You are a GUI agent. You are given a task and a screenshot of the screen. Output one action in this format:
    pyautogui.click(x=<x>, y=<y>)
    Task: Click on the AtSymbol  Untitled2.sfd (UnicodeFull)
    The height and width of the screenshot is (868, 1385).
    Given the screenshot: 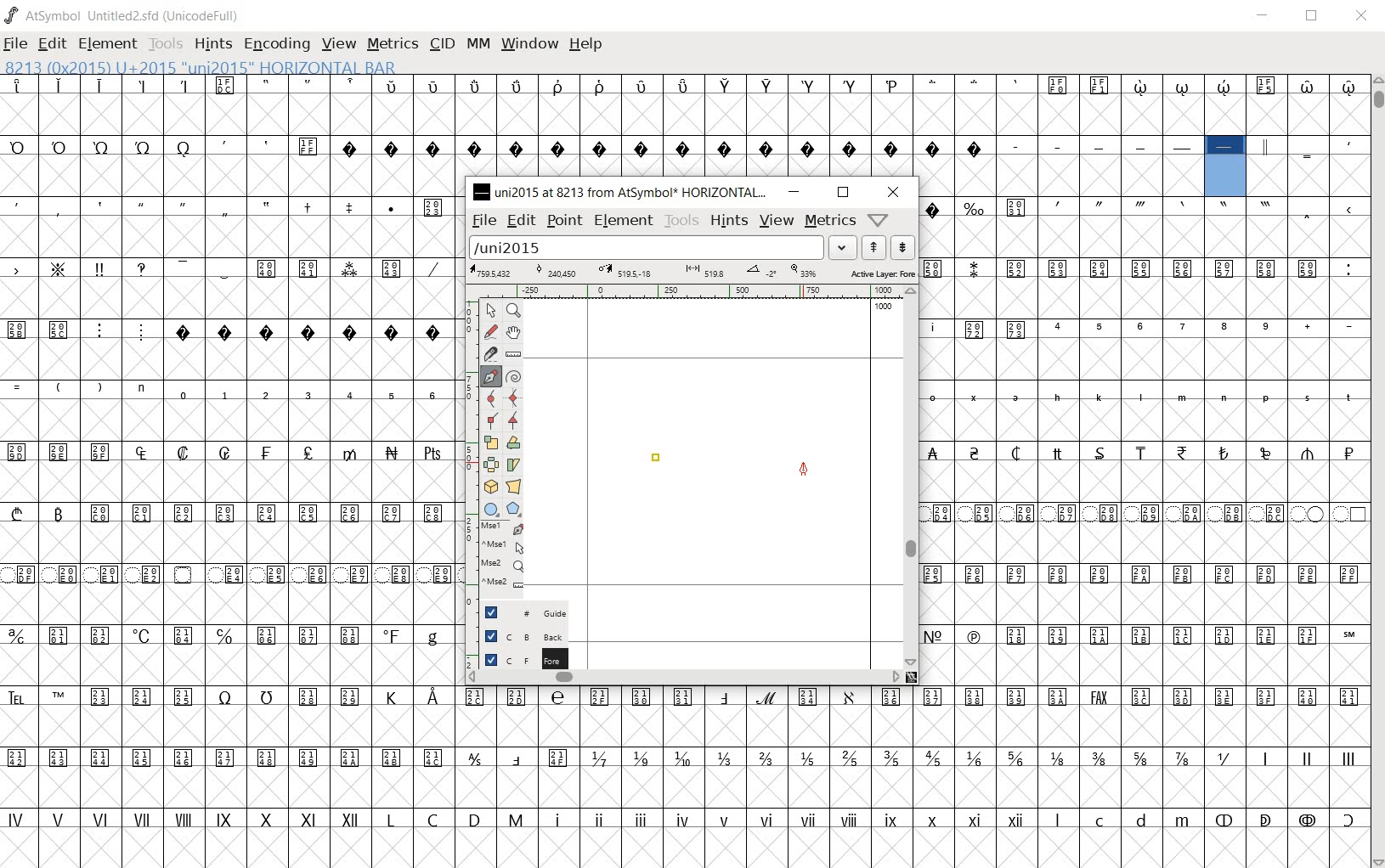 What is the action you would take?
    pyautogui.click(x=123, y=15)
    